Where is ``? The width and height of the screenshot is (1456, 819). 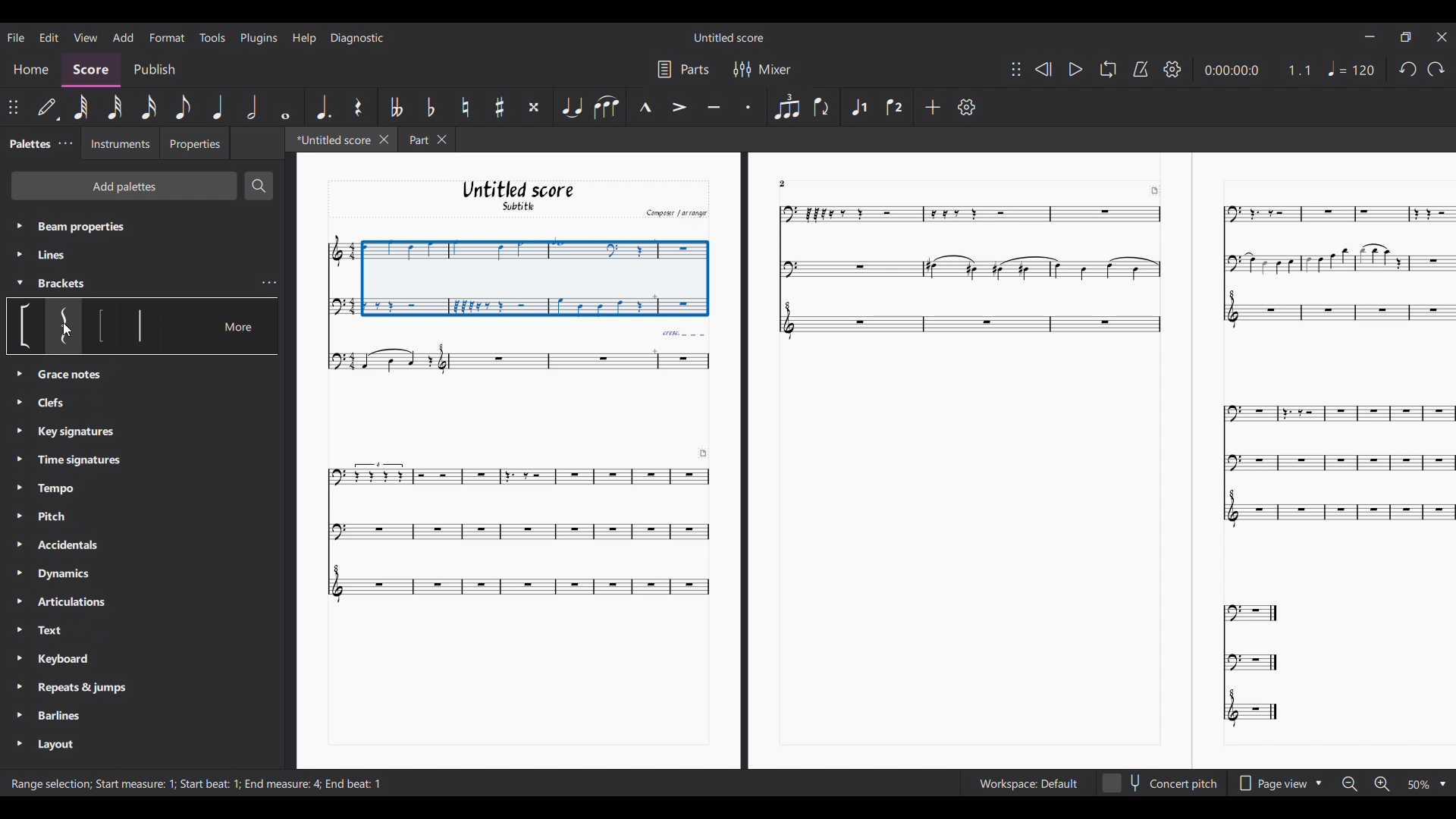  is located at coordinates (23, 687).